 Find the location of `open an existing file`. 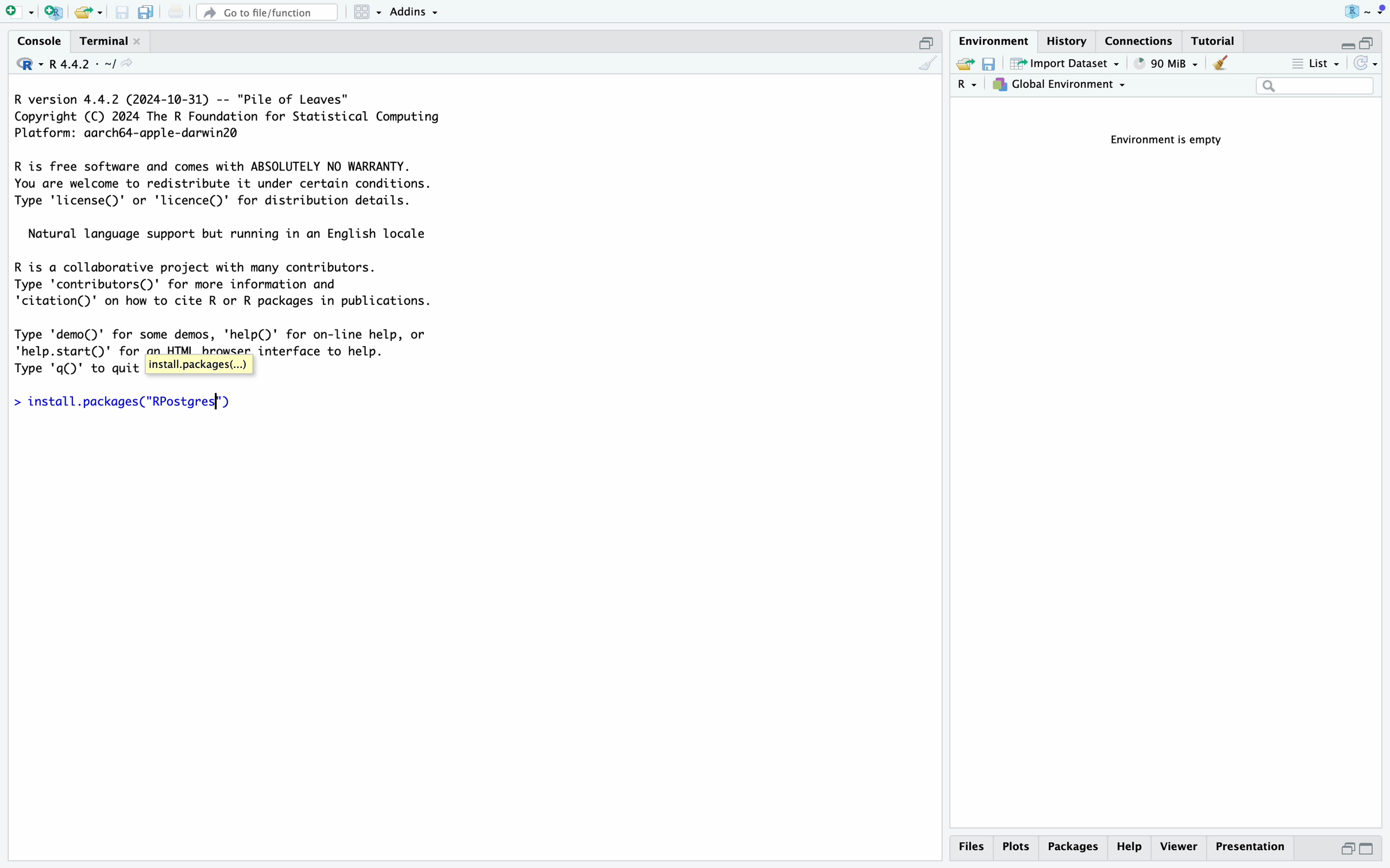

open an existing file is located at coordinates (89, 12).